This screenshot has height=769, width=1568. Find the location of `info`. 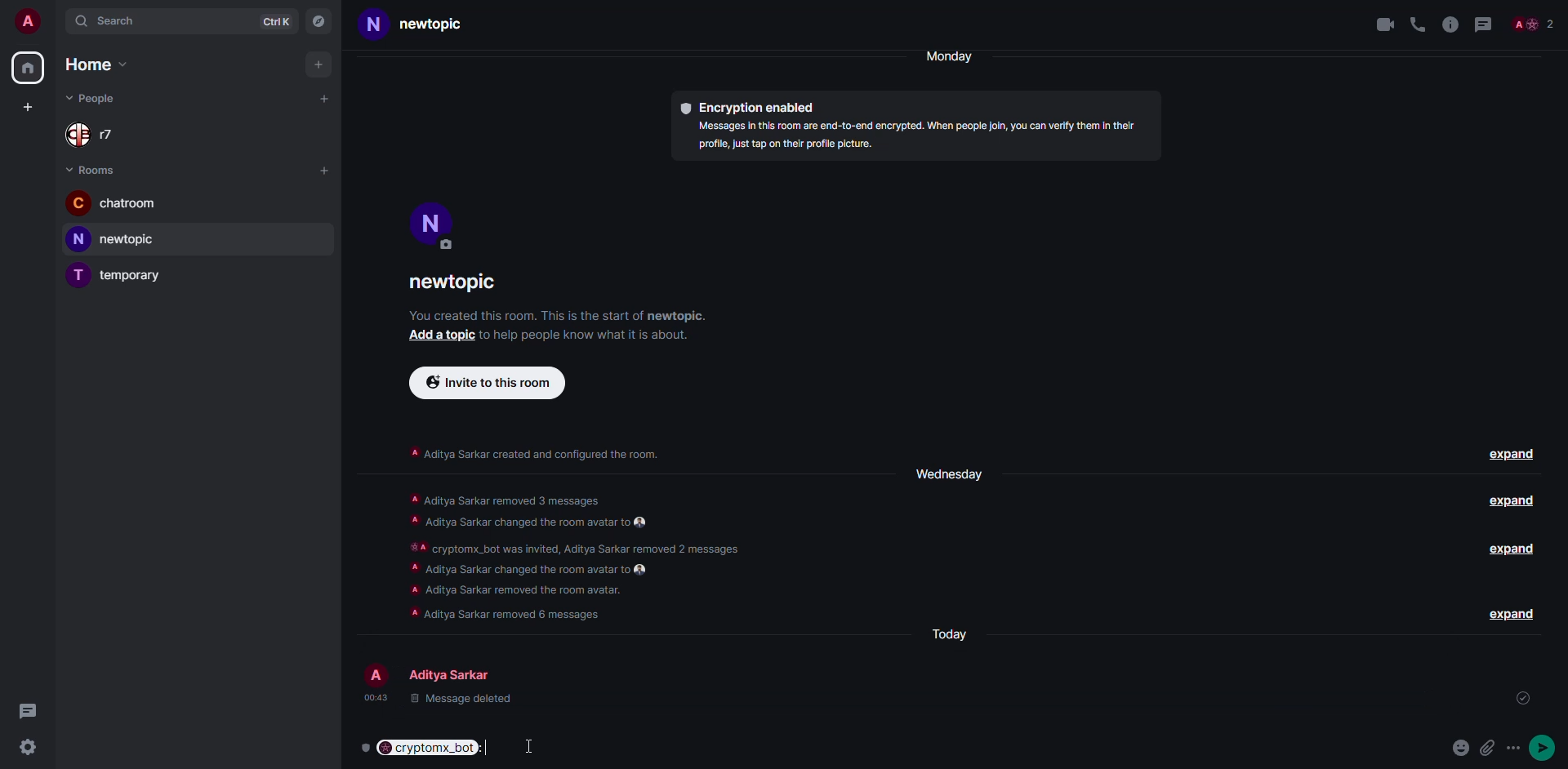

info is located at coordinates (580, 334).